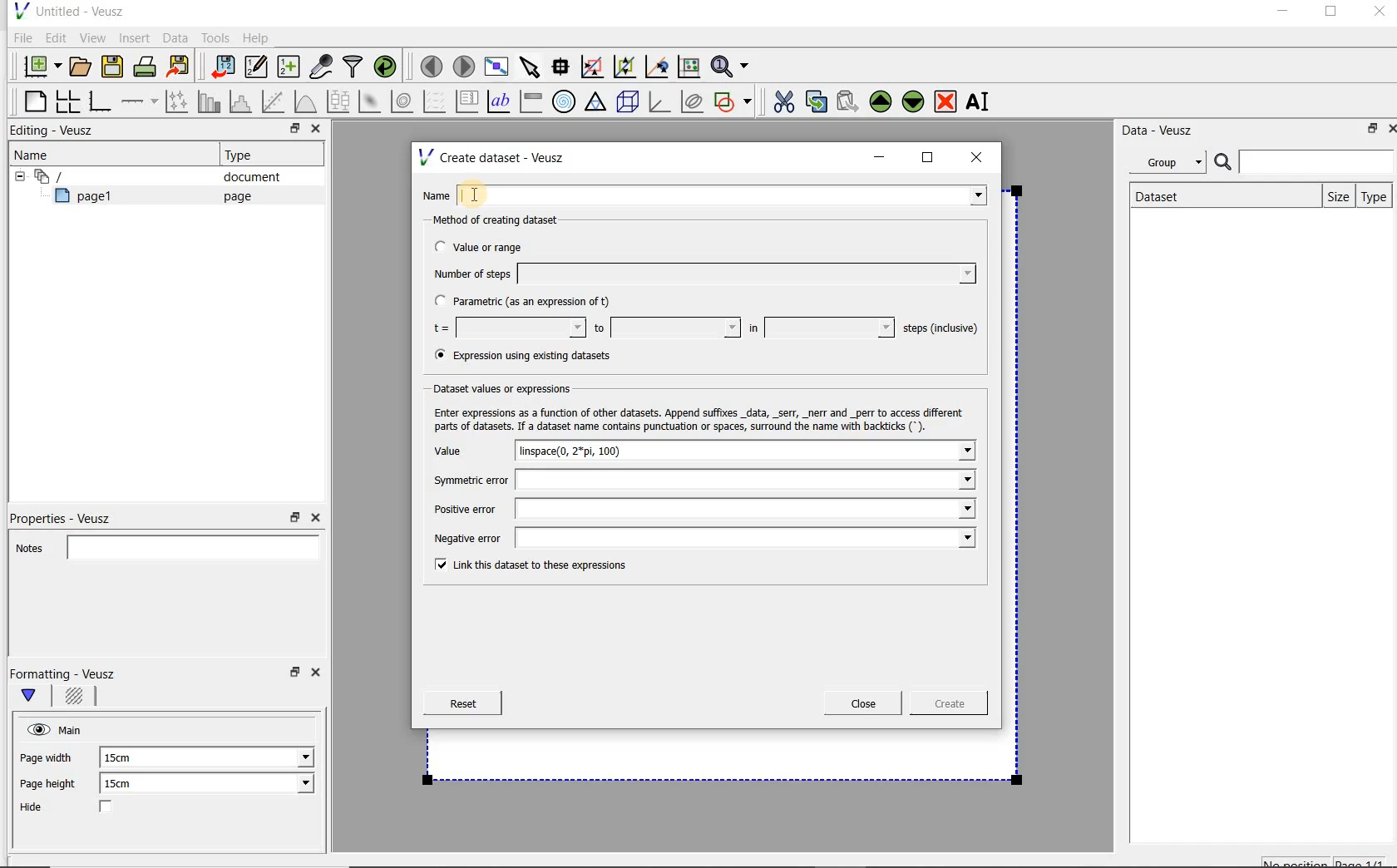 The image size is (1397, 868). Describe the element at coordinates (314, 131) in the screenshot. I see `Close` at that location.